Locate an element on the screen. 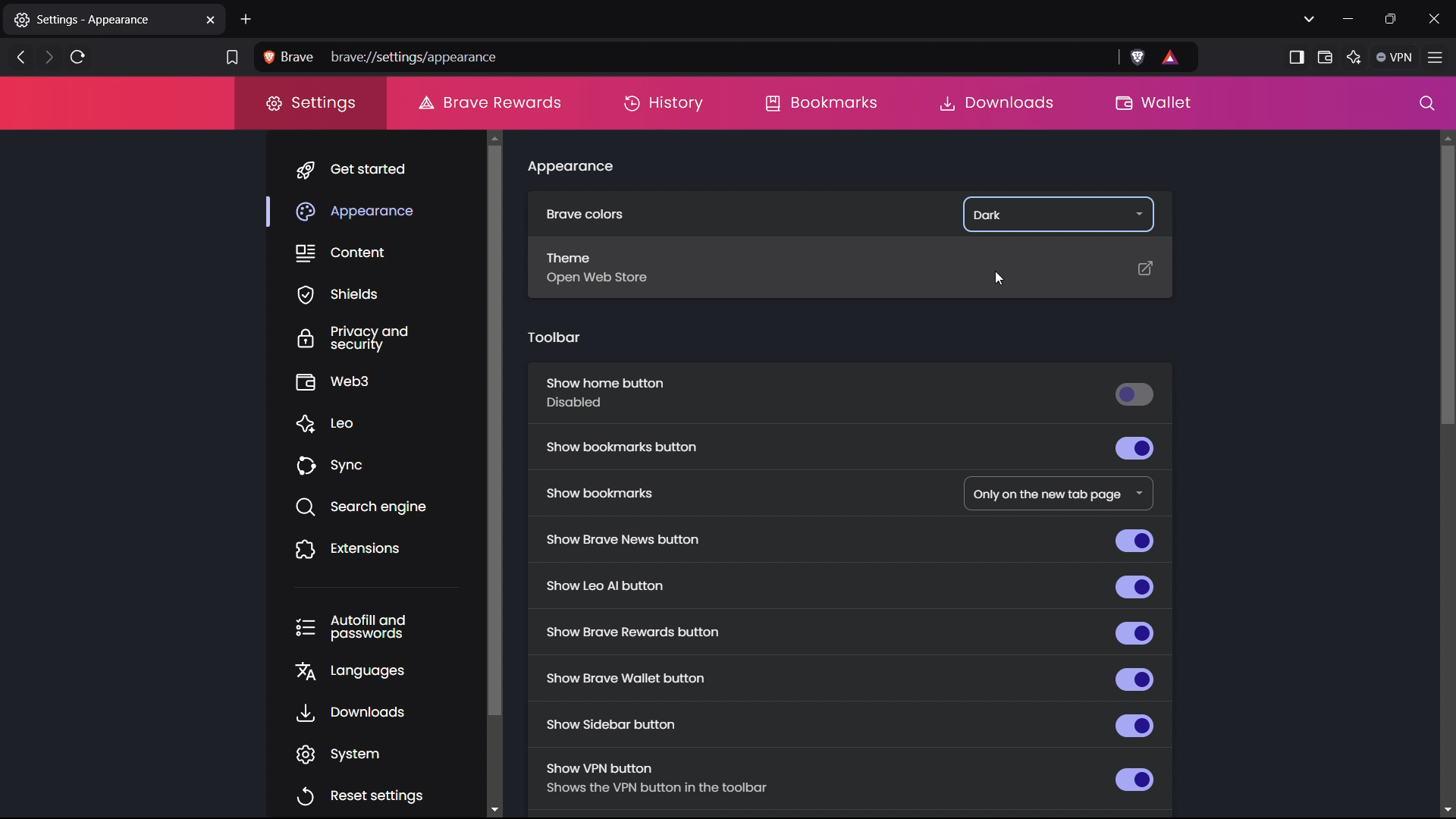 Image resolution: width=1456 pixels, height=819 pixels. vpn is located at coordinates (1395, 56).